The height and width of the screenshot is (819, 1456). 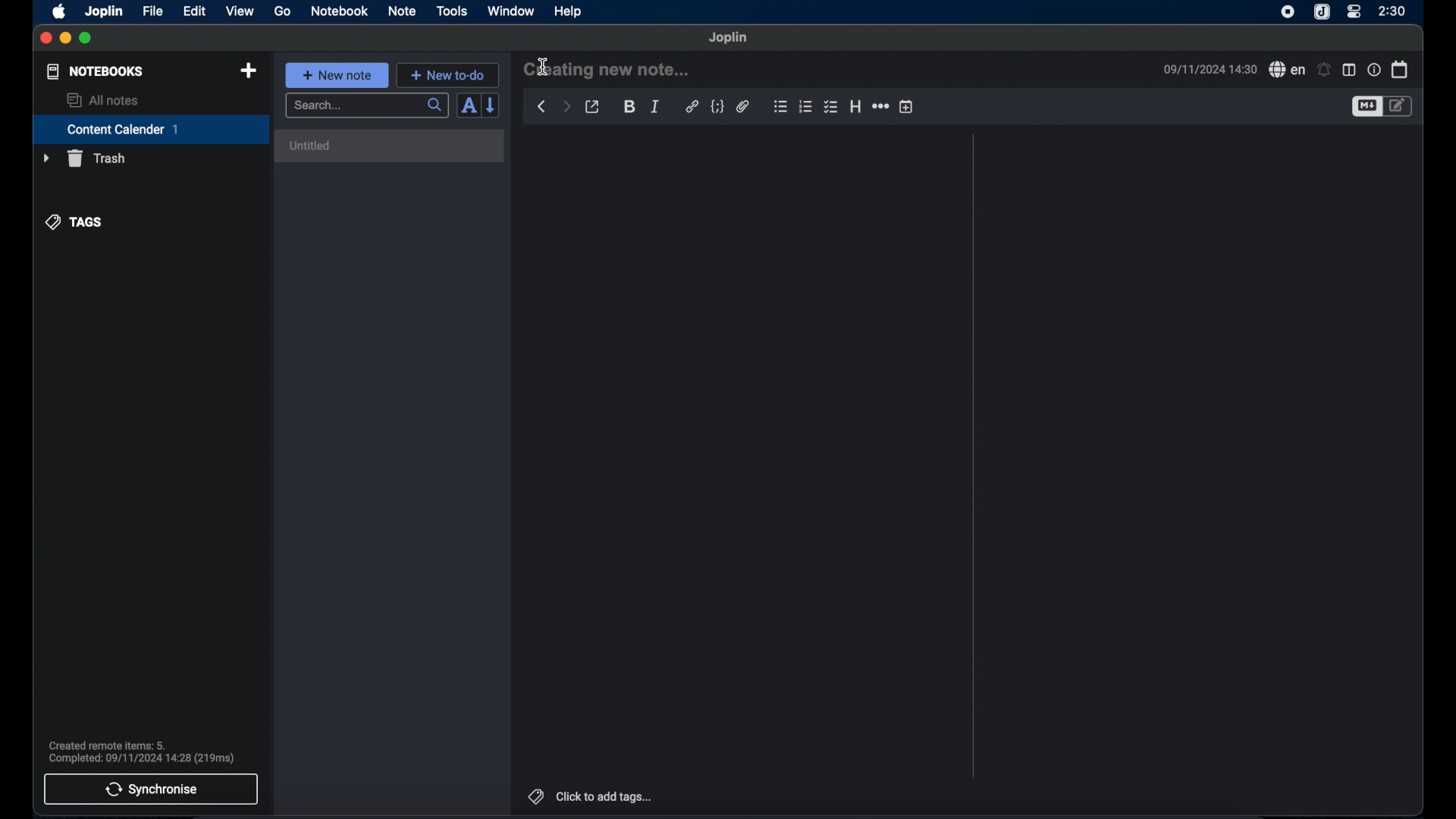 What do you see at coordinates (151, 129) in the screenshot?
I see `content calendar 1` at bounding box center [151, 129].